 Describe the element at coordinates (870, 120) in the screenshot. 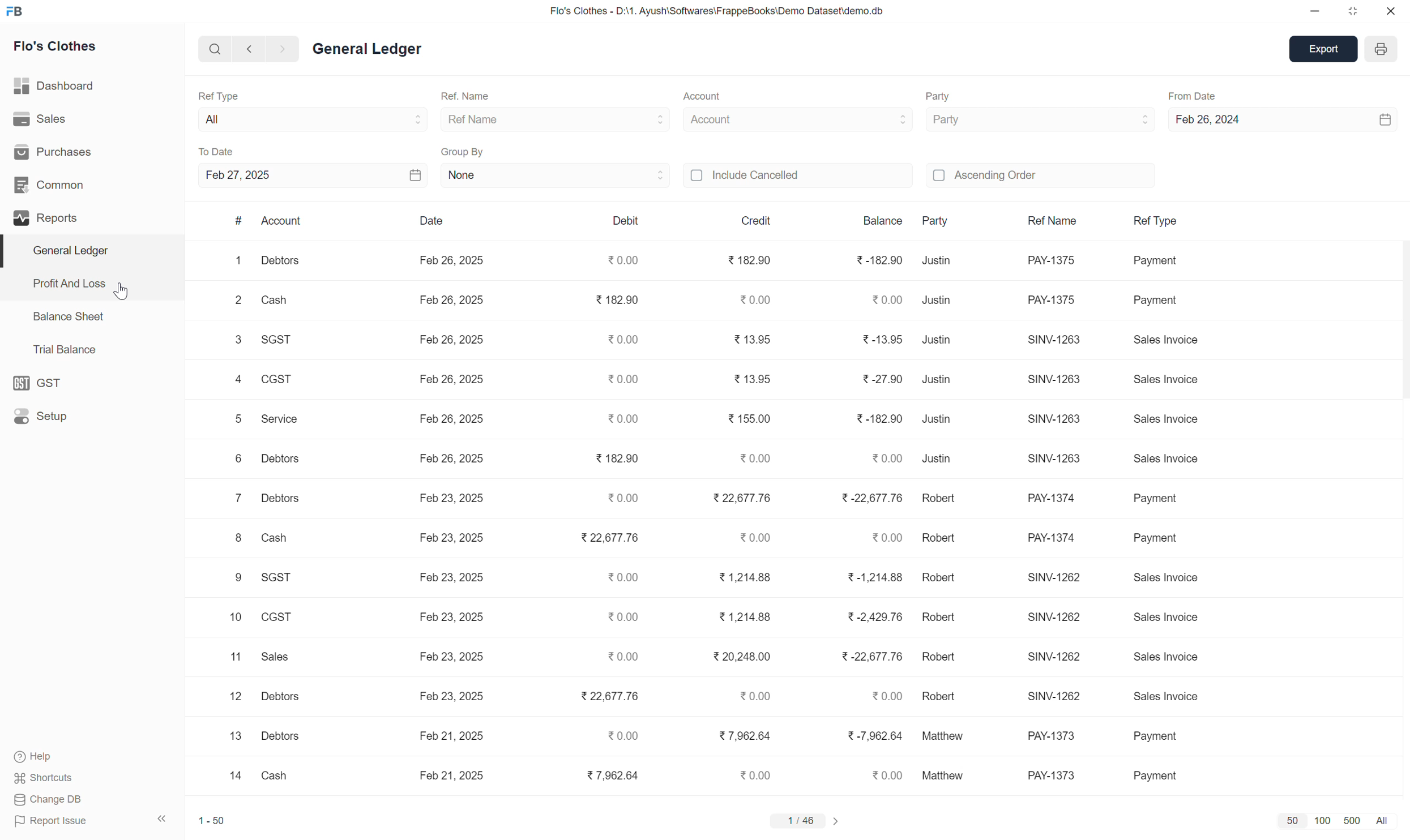

I see `Account dropdown` at that location.